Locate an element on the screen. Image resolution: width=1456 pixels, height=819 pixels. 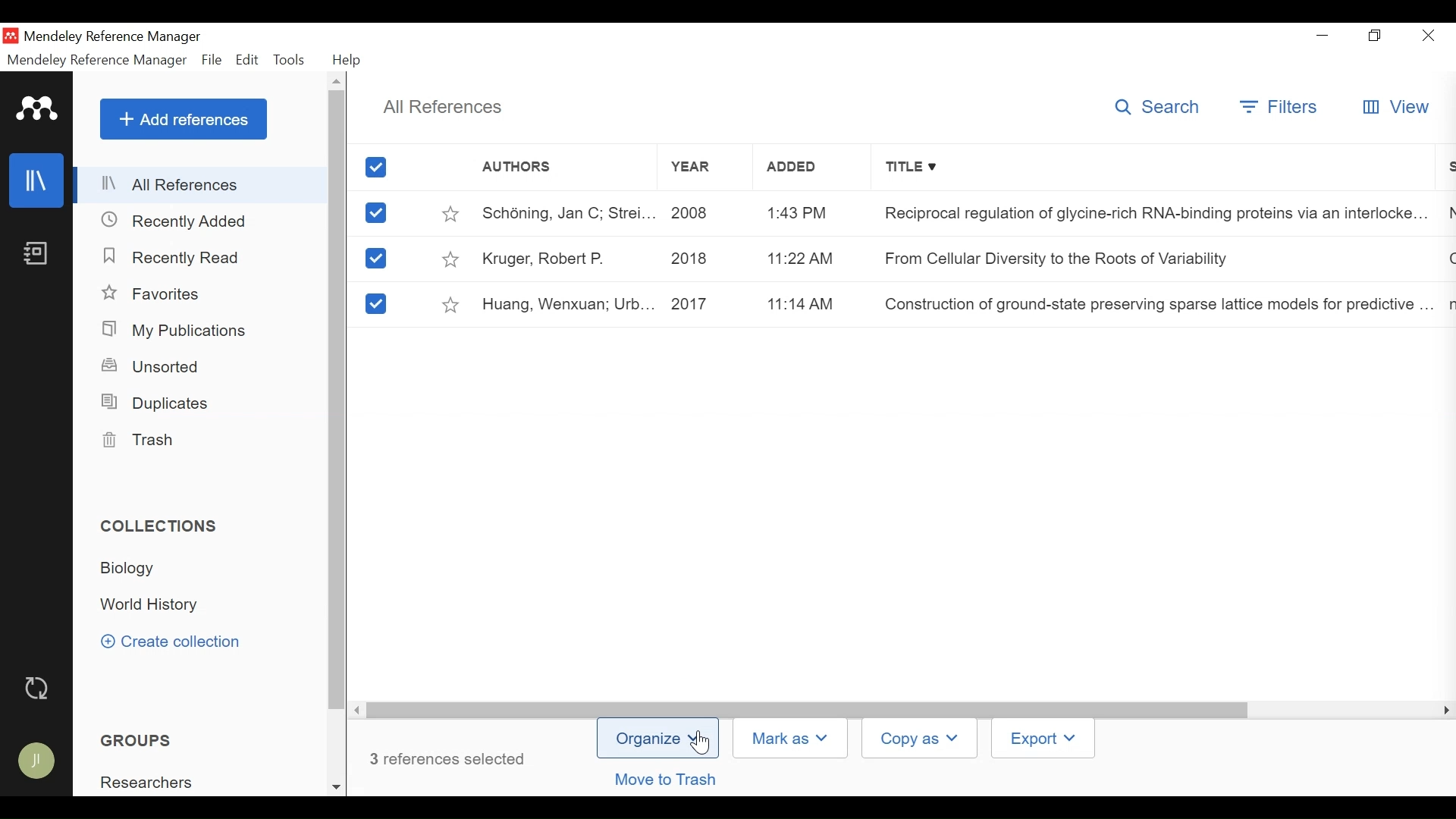
2008 is located at coordinates (703, 212).